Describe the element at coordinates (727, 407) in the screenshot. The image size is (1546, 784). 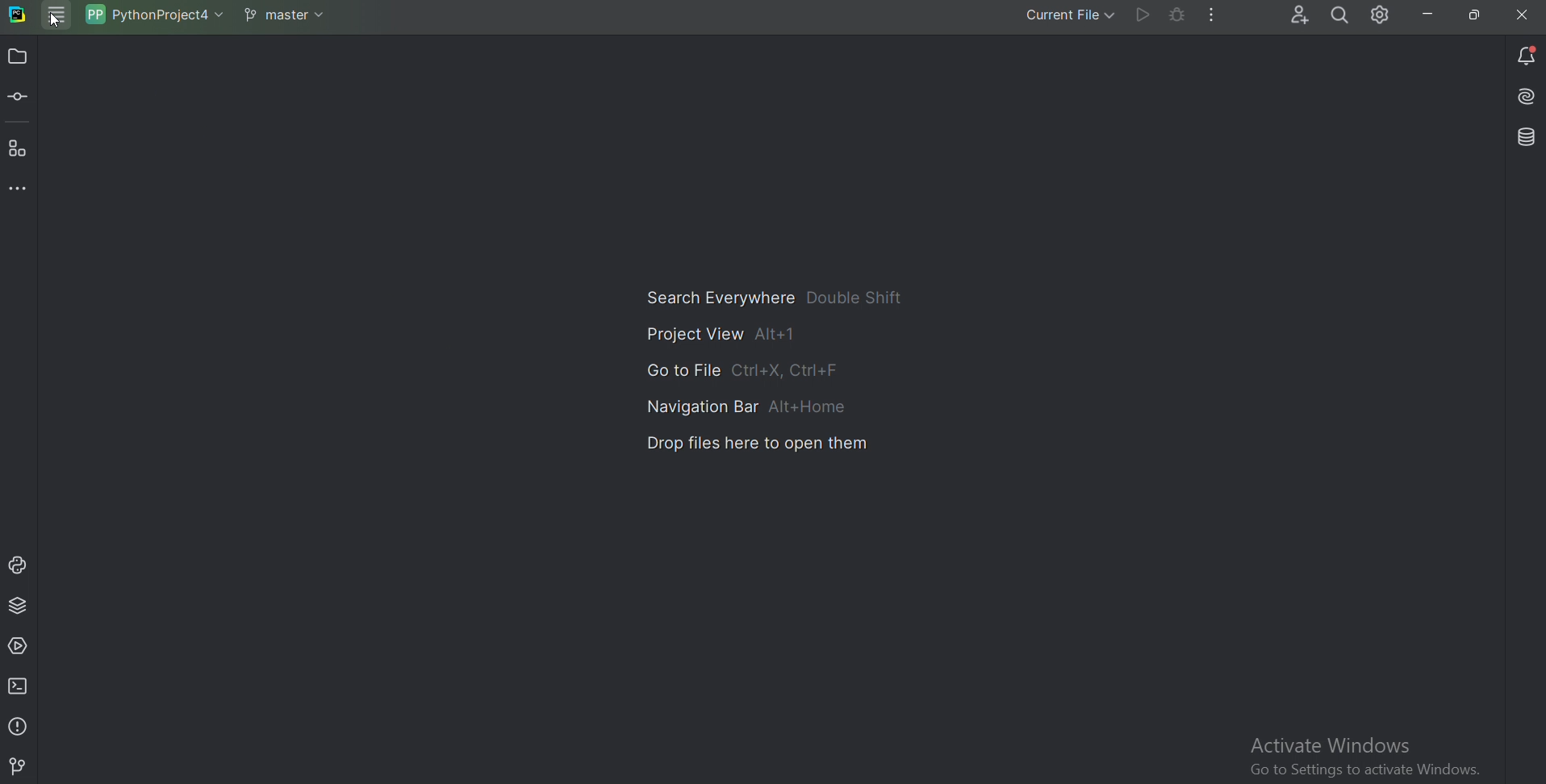
I see `Navigation bar` at that location.